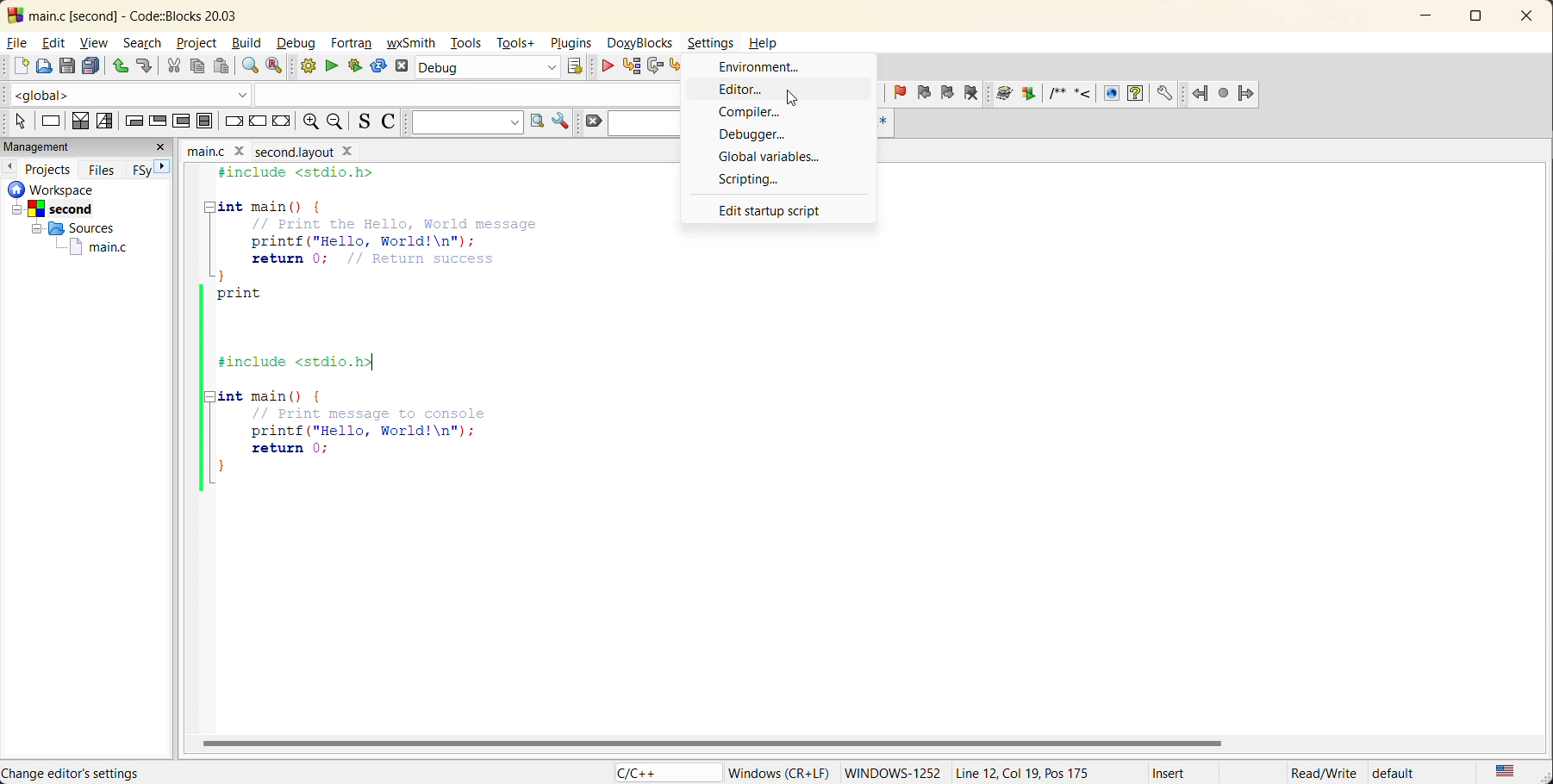  I want to click on environment, so click(760, 68).